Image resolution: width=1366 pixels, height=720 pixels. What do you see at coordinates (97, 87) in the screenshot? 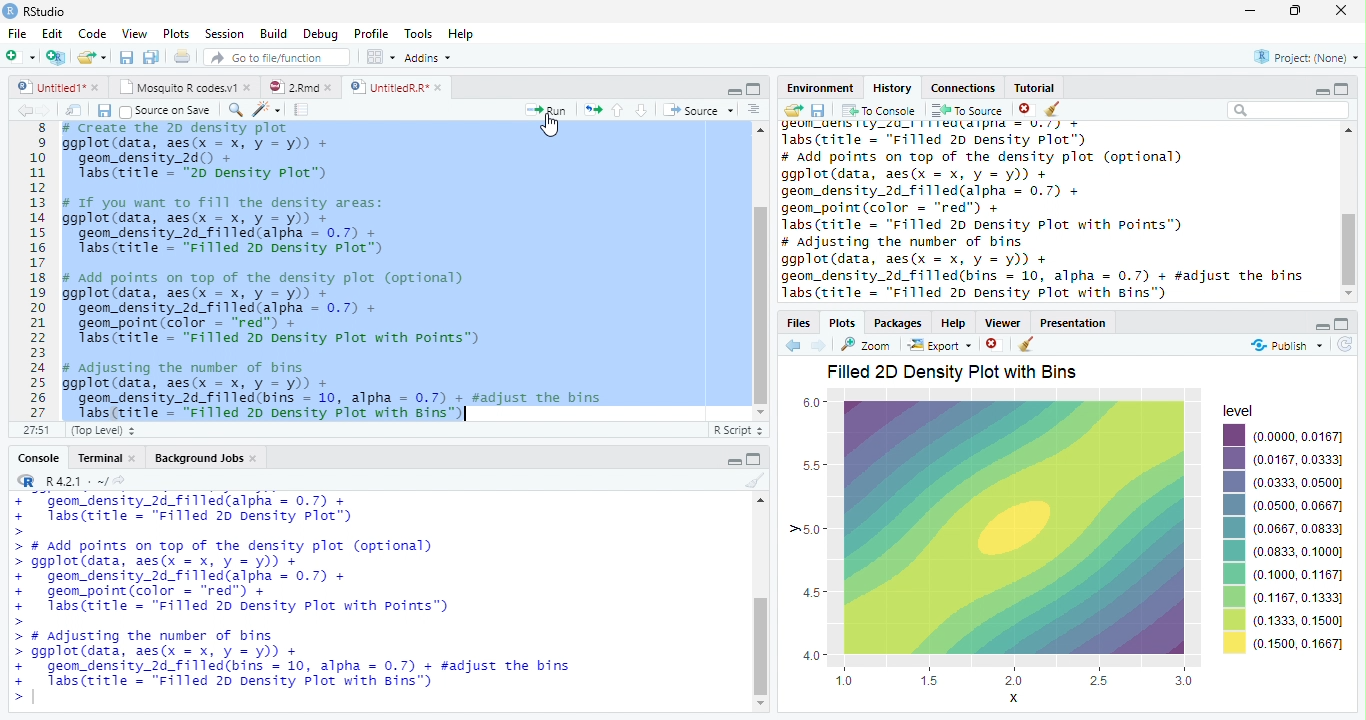
I see `close` at bounding box center [97, 87].